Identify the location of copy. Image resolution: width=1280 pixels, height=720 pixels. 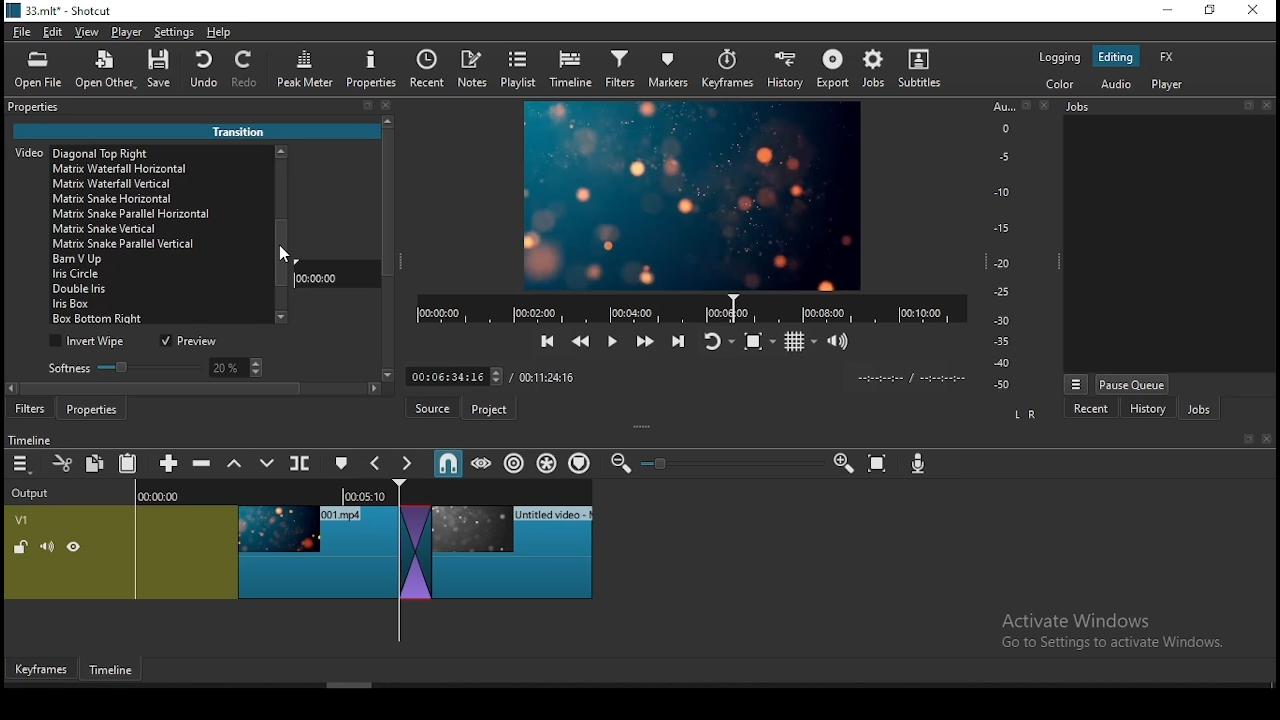
(98, 463).